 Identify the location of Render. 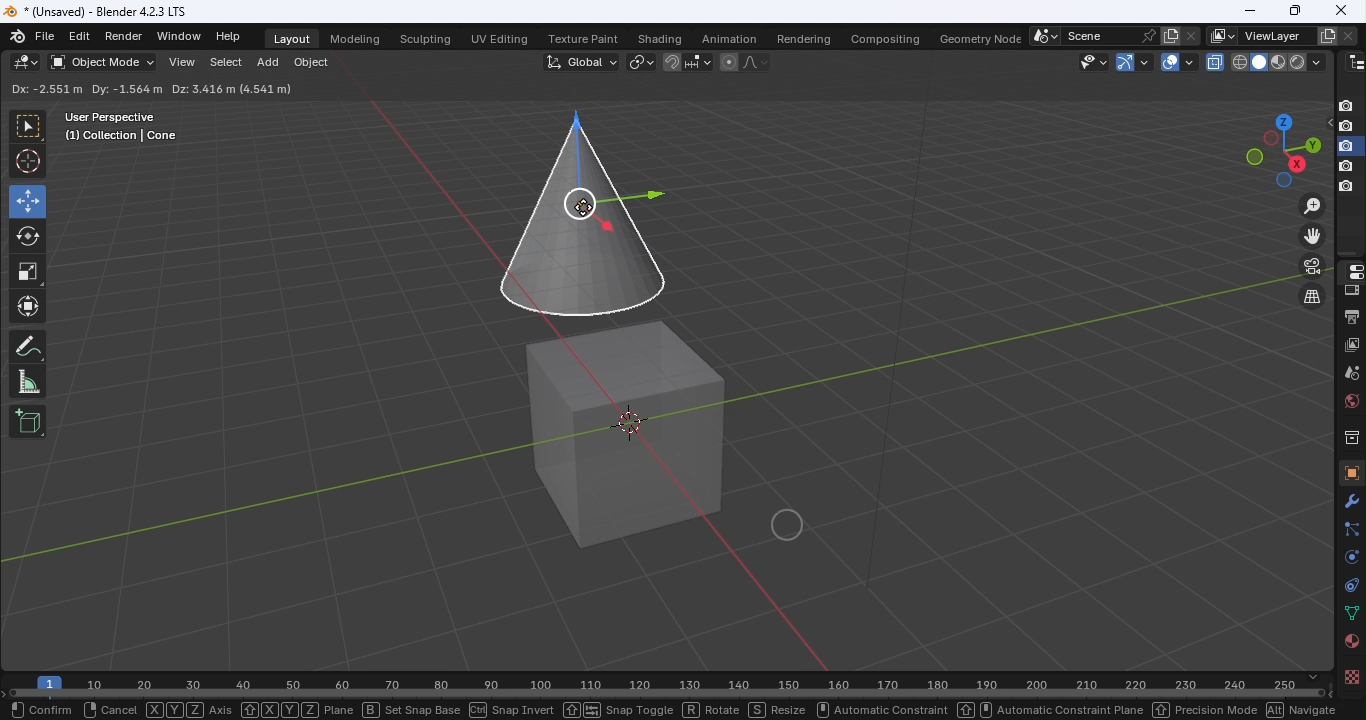
(1350, 291).